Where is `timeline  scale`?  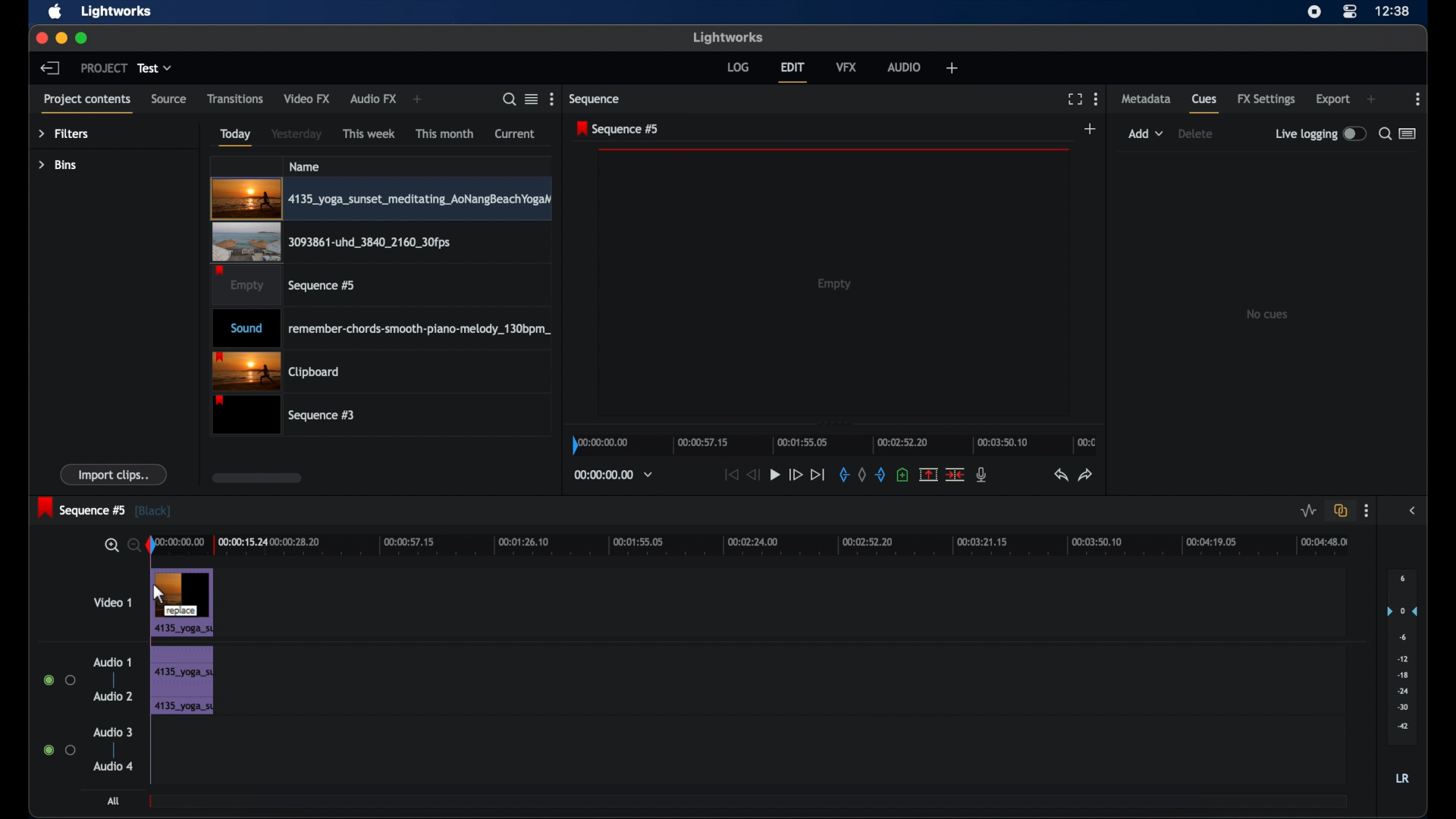 timeline  scale is located at coordinates (833, 443).